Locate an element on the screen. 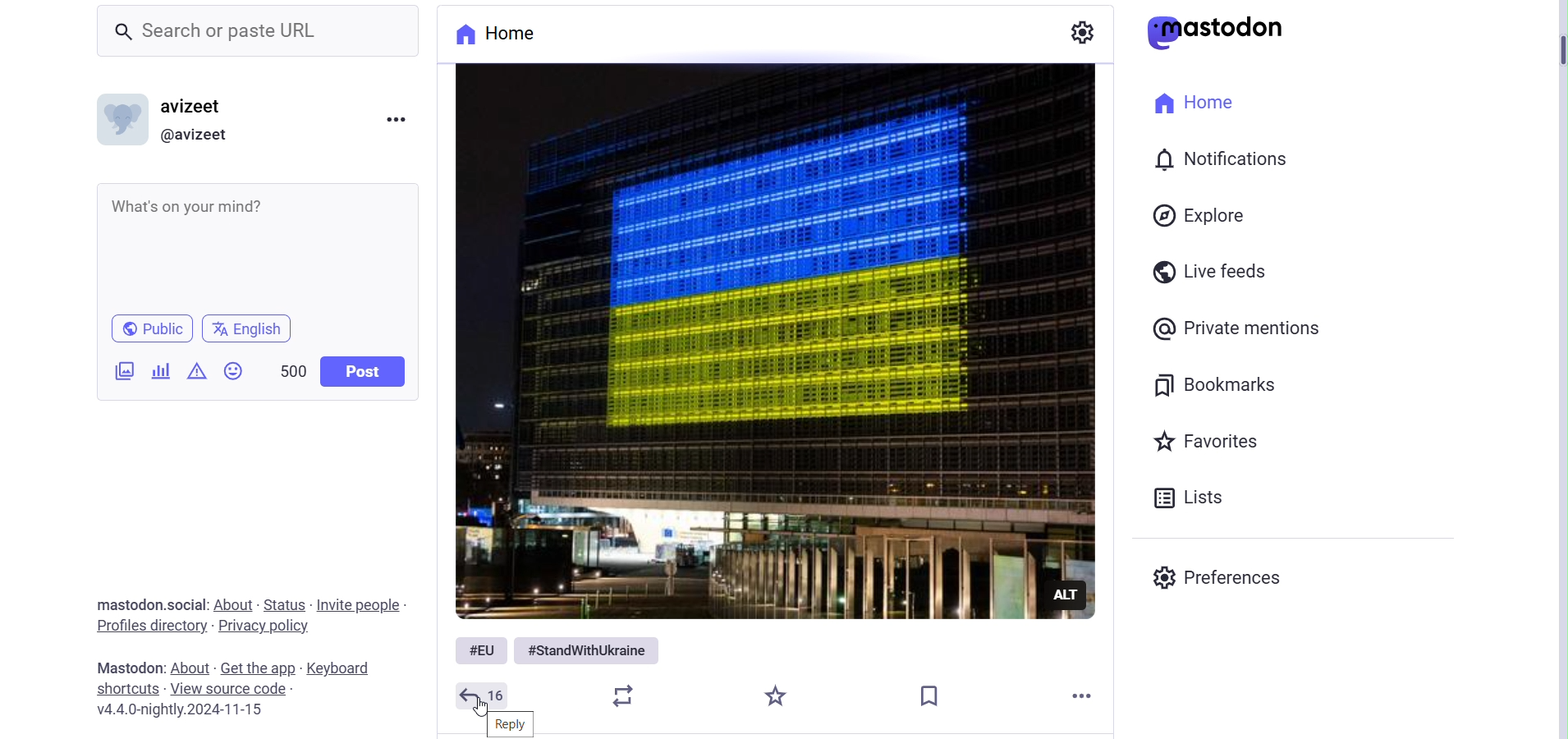  Home is located at coordinates (1199, 104).